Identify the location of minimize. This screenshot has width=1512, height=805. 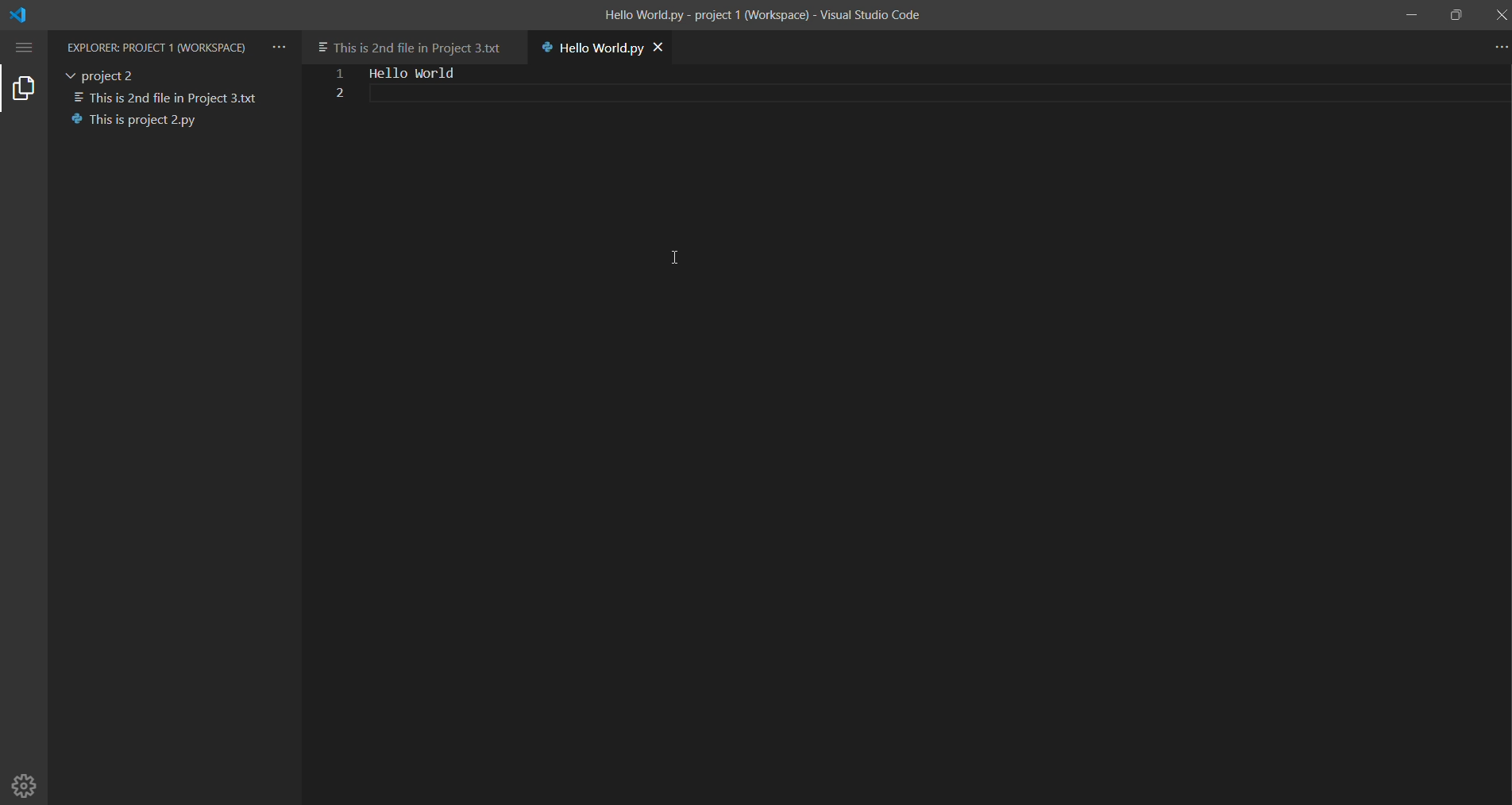
(1410, 16).